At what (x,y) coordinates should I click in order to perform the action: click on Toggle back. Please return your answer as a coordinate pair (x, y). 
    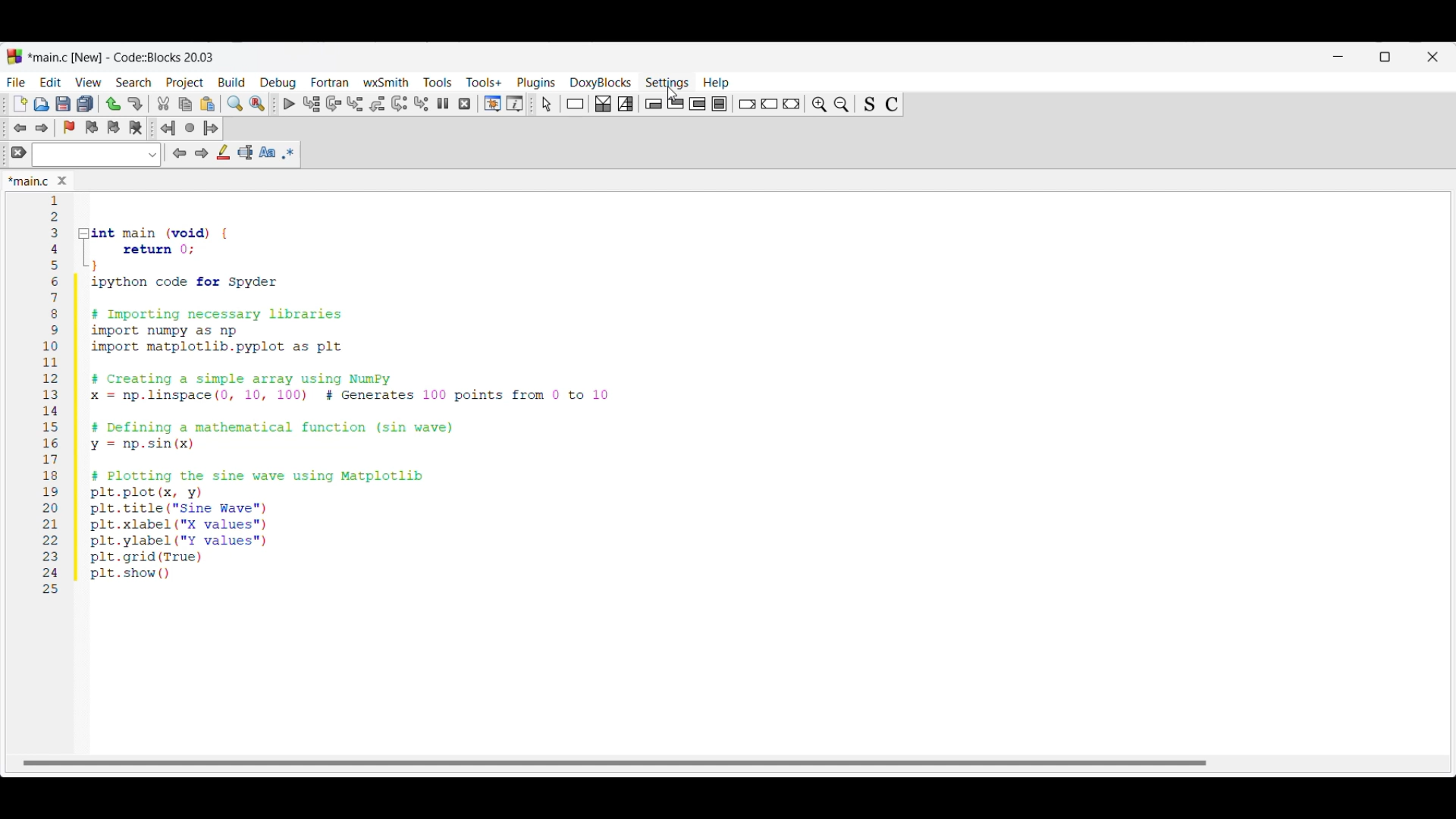
    Looking at the image, I should click on (20, 128).